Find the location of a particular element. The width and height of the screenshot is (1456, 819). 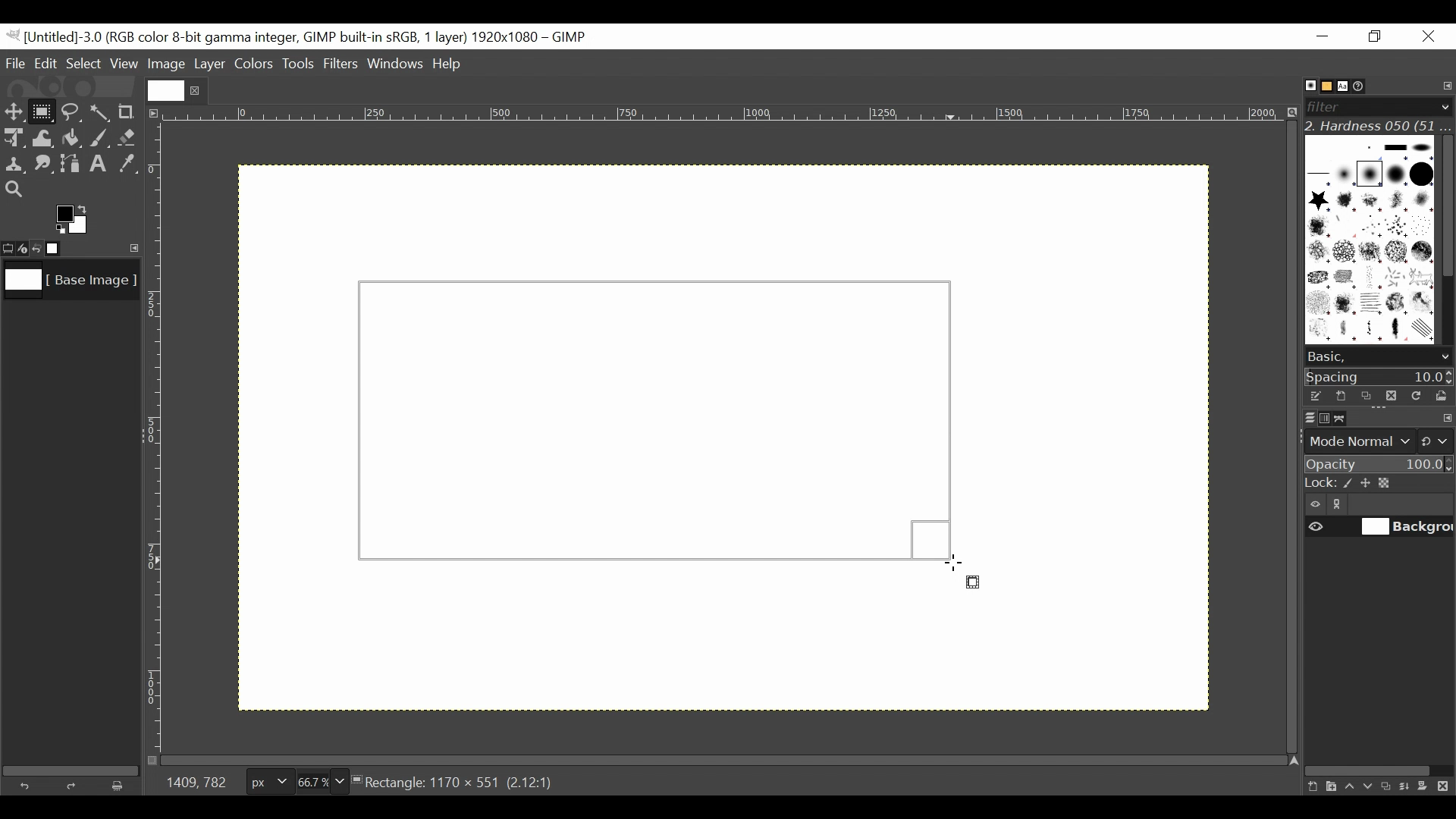

Path tool is located at coordinates (72, 164).